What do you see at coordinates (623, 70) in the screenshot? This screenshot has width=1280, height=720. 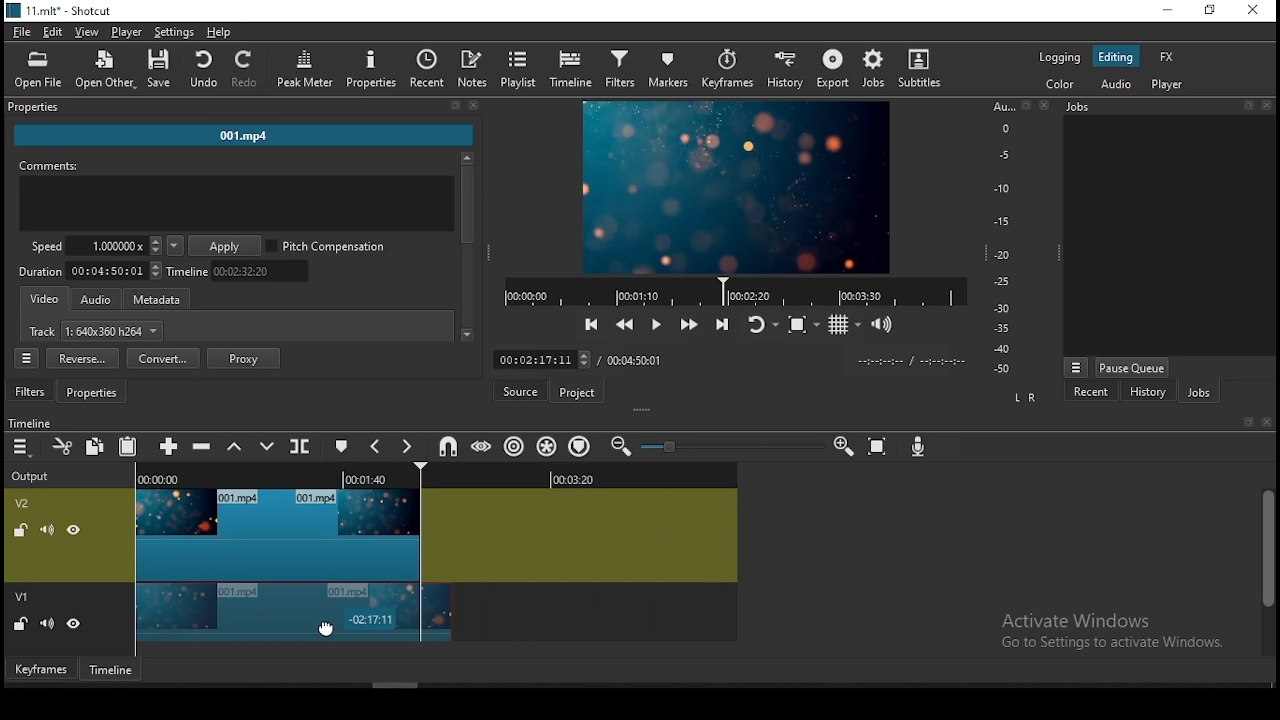 I see `filters` at bounding box center [623, 70].